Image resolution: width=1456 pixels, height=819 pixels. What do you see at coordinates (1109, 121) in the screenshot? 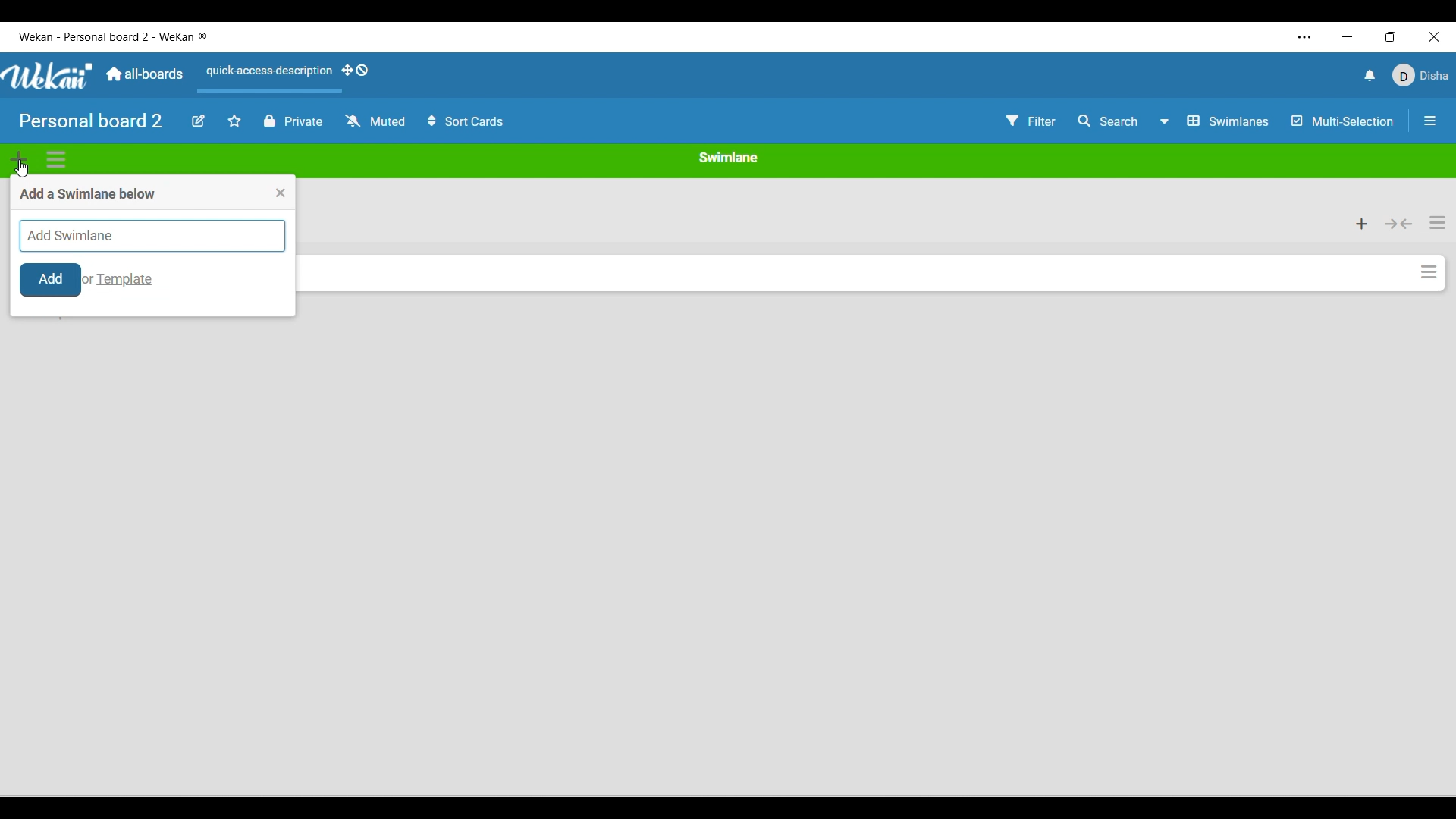
I see `Search` at bounding box center [1109, 121].